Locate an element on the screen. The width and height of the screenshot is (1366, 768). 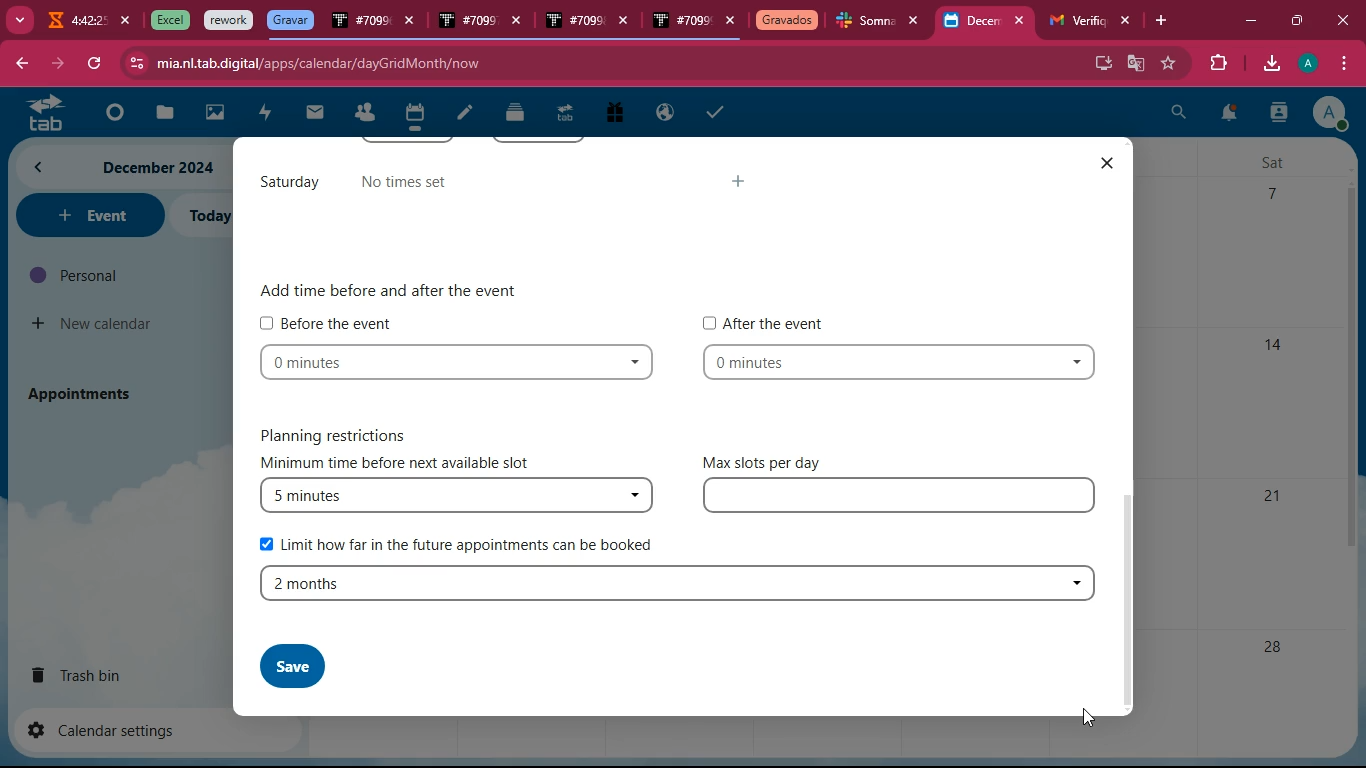
current tab is located at coordinates (972, 26).